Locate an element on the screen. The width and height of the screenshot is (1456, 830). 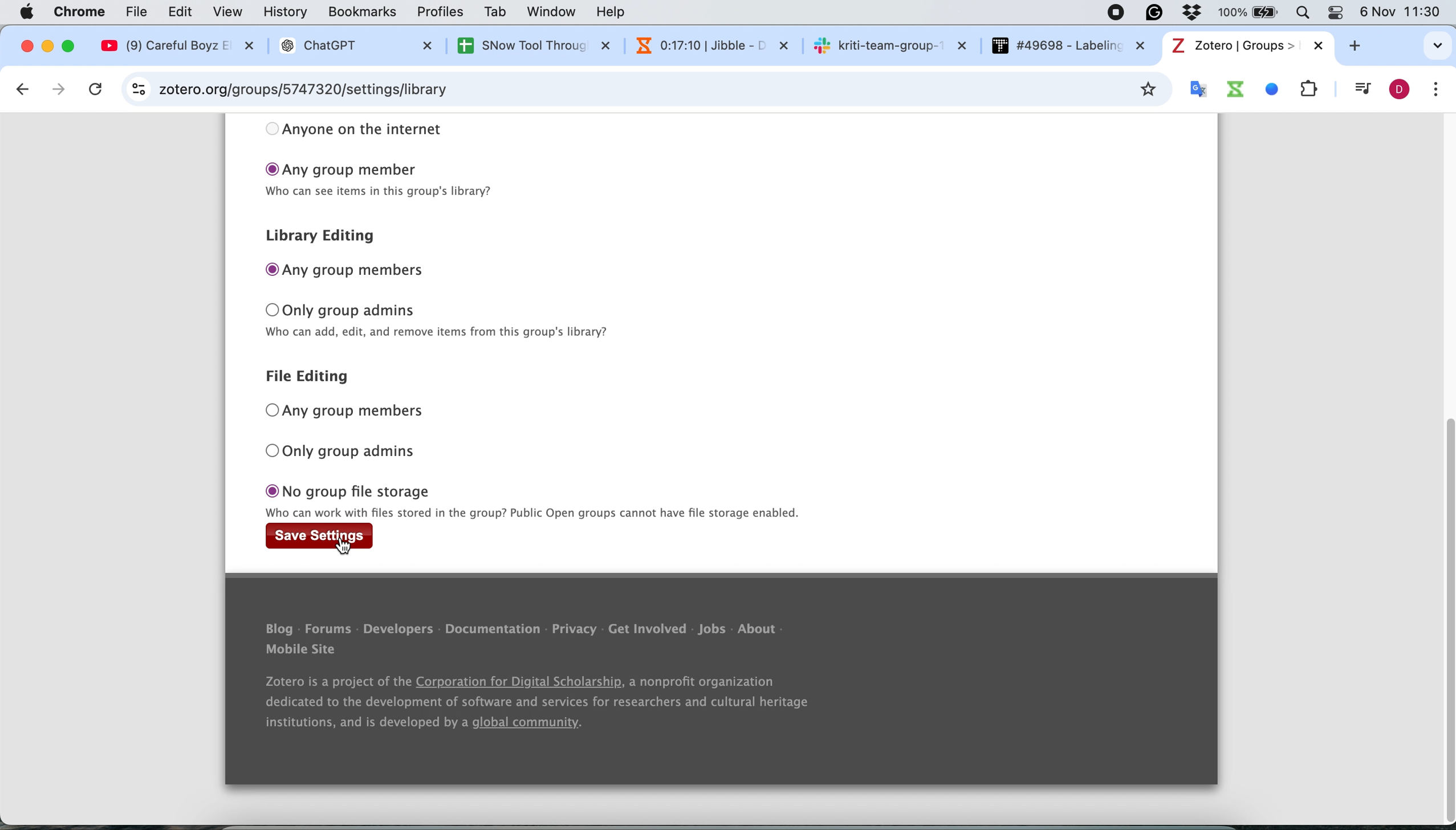
file is located at coordinates (140, 12).